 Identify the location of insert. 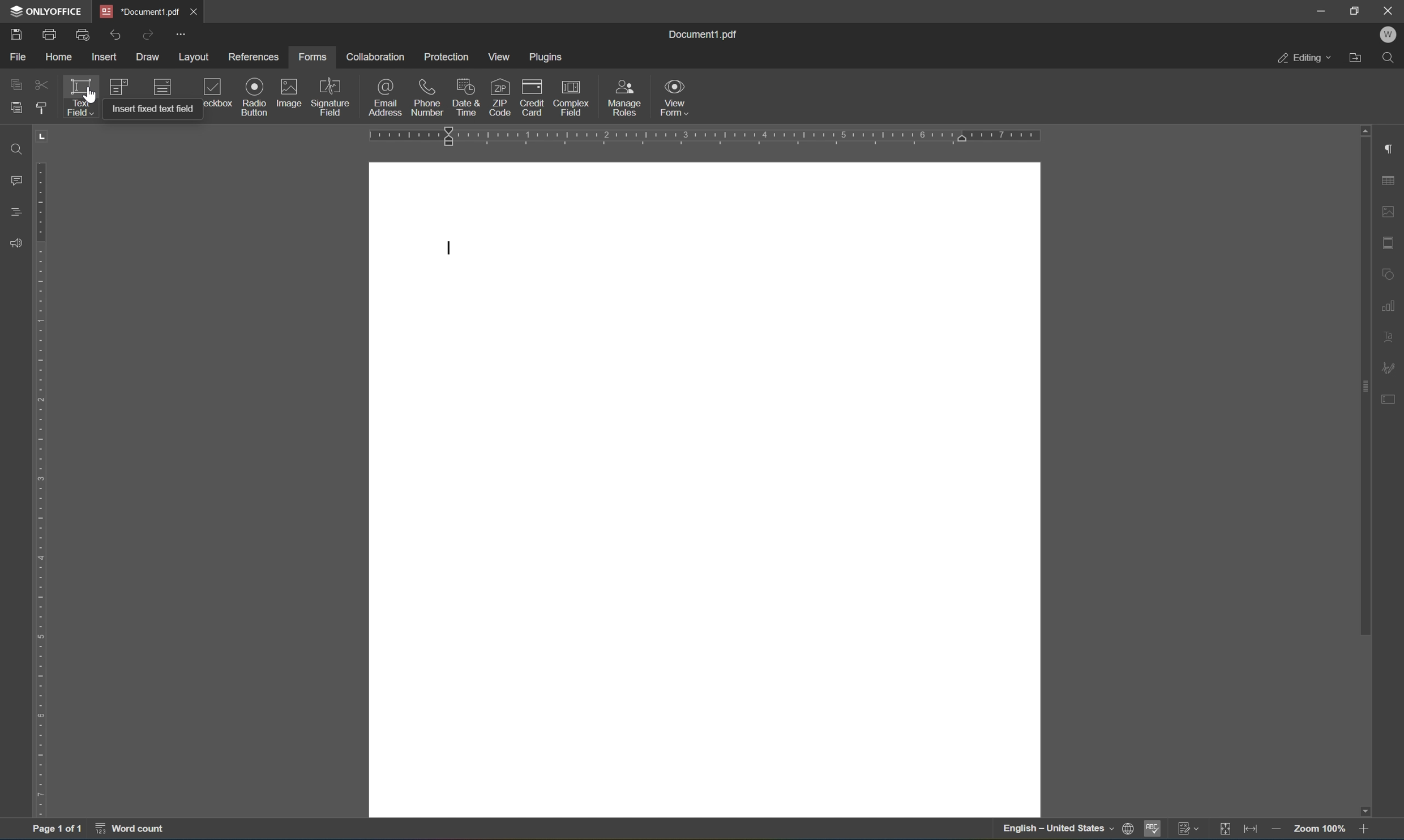
(105, 54).